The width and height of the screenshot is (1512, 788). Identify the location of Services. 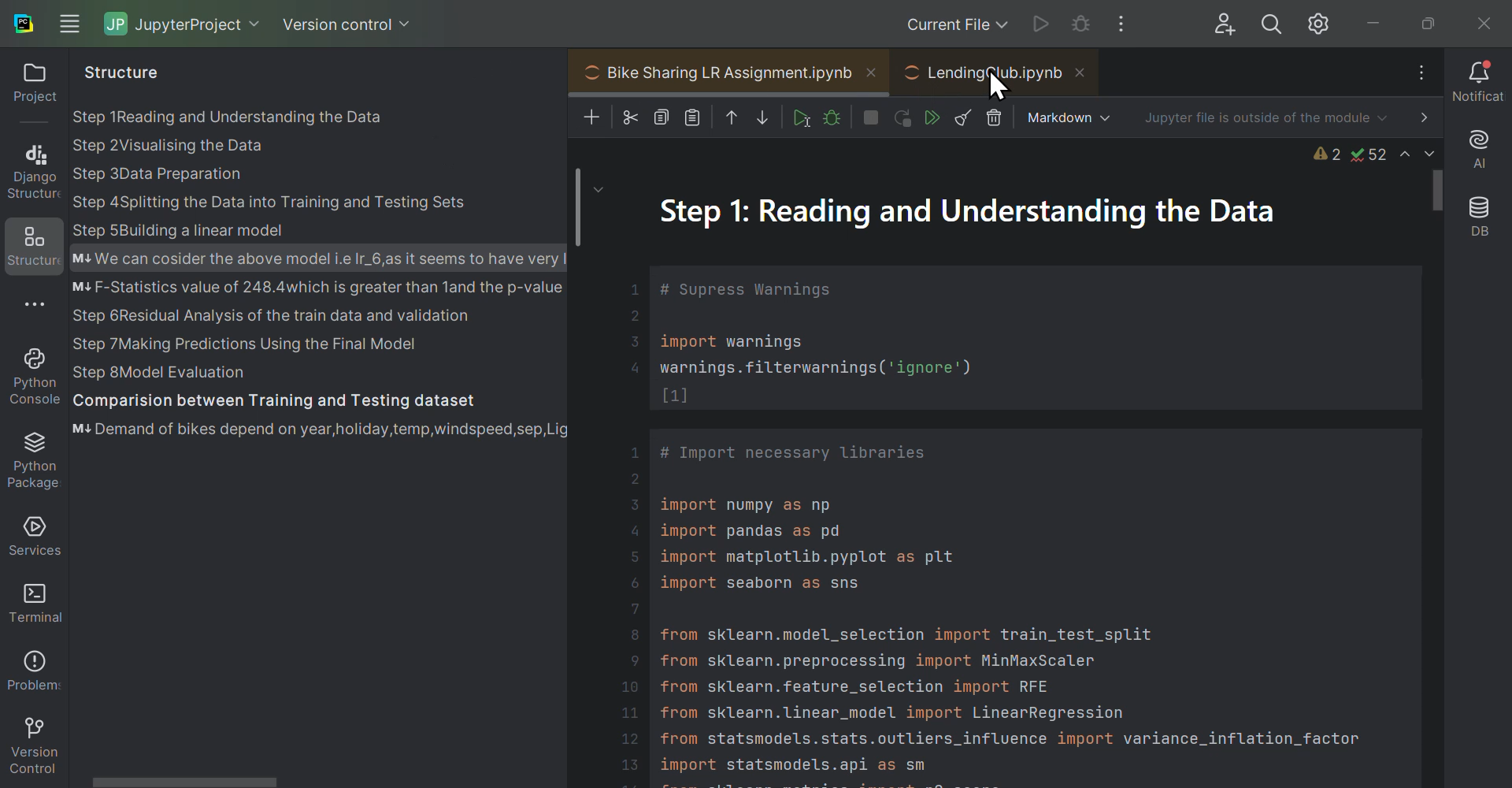
(32, 537).